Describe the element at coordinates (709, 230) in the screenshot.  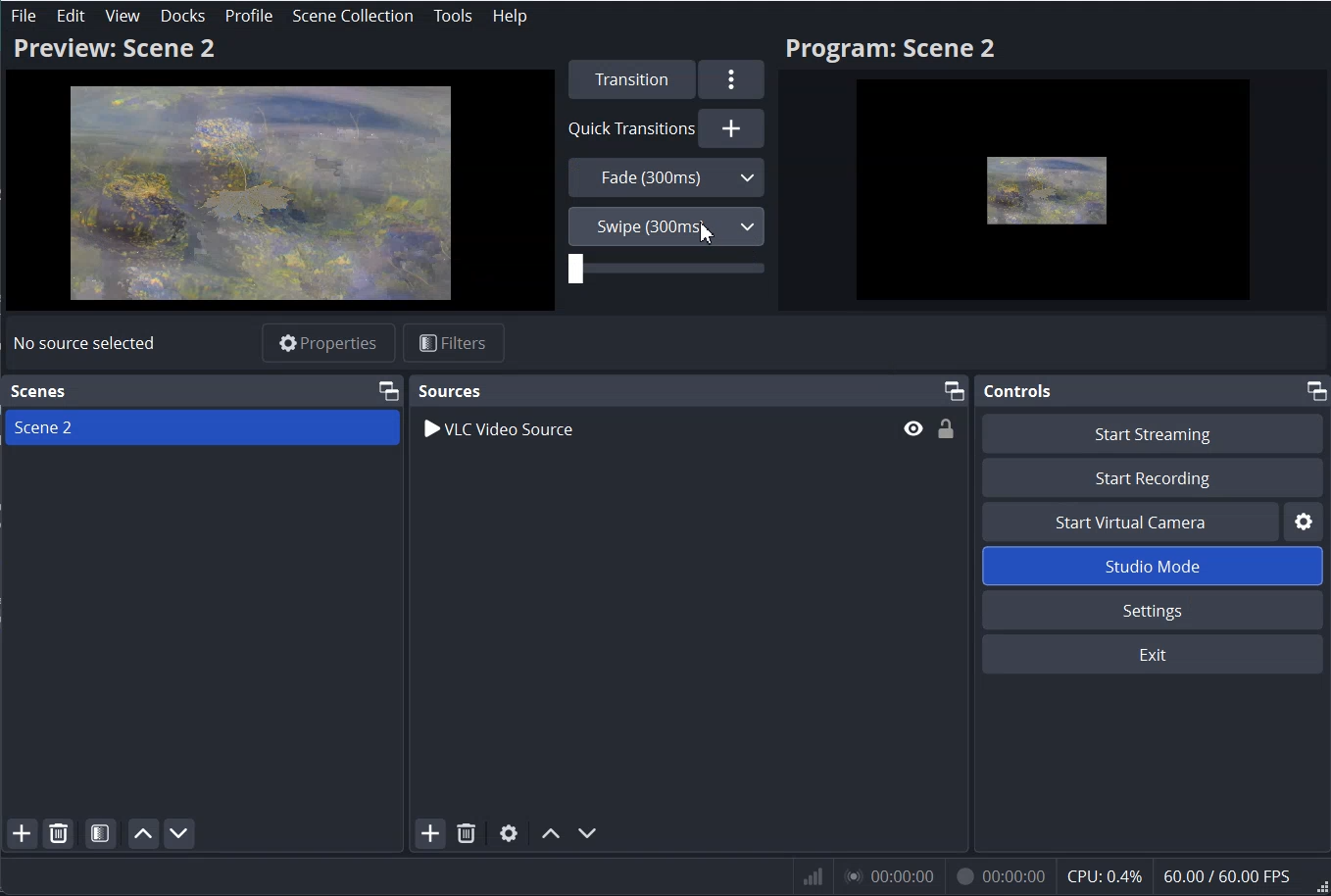
I see `Cursor` at that location.